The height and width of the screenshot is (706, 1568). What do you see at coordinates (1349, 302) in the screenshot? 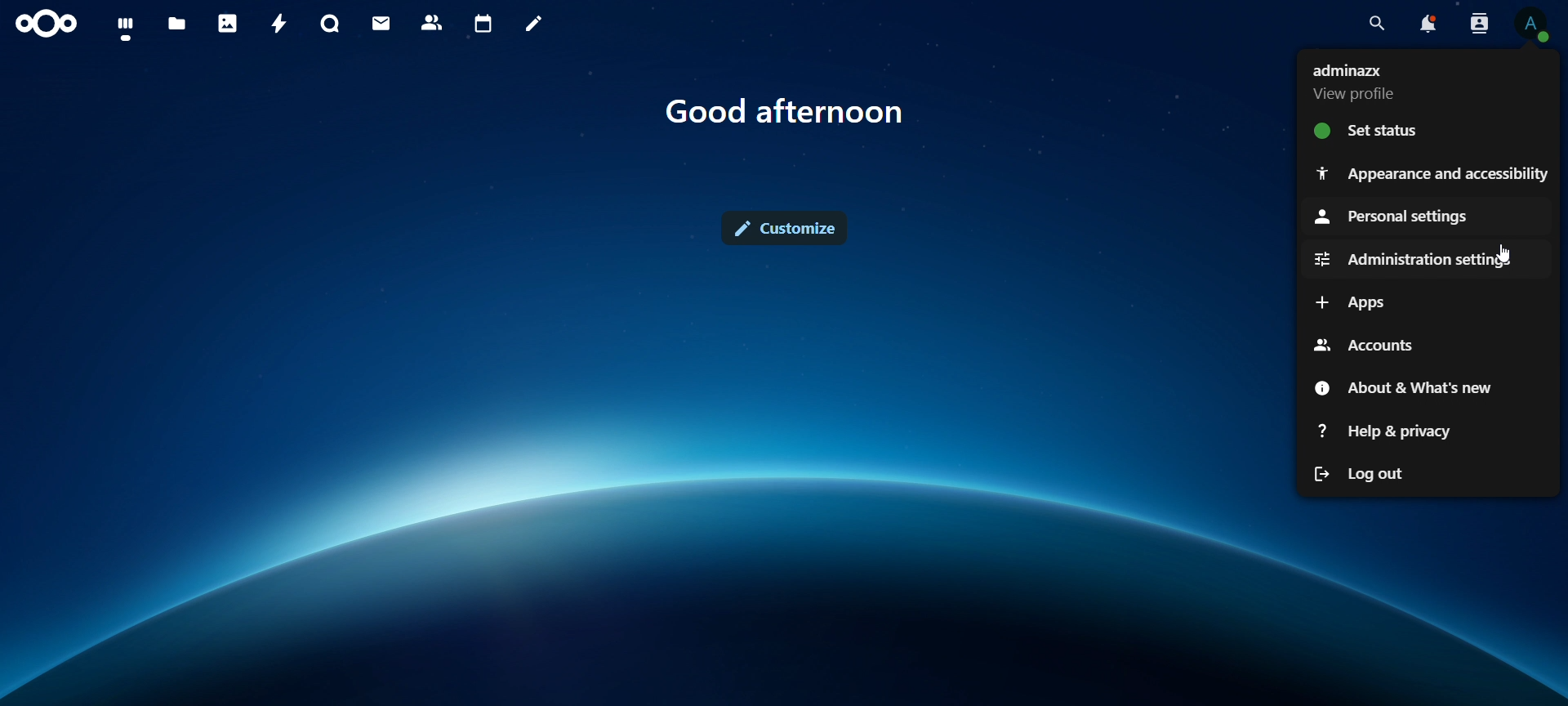
I see `apps` at bounding box center [1349, 302].